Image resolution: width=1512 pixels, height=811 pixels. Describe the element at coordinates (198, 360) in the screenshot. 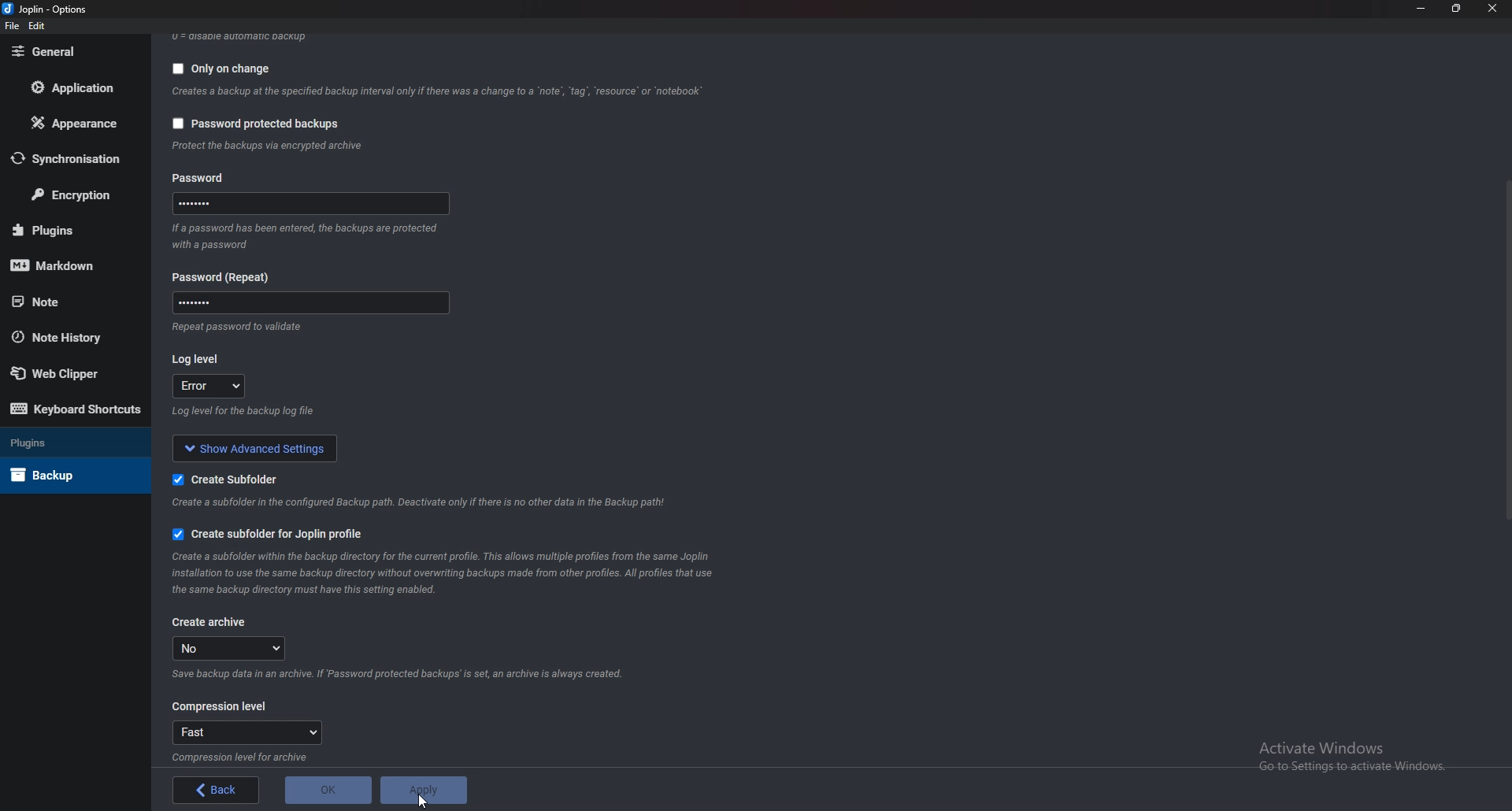

I see `Log level` at that location.